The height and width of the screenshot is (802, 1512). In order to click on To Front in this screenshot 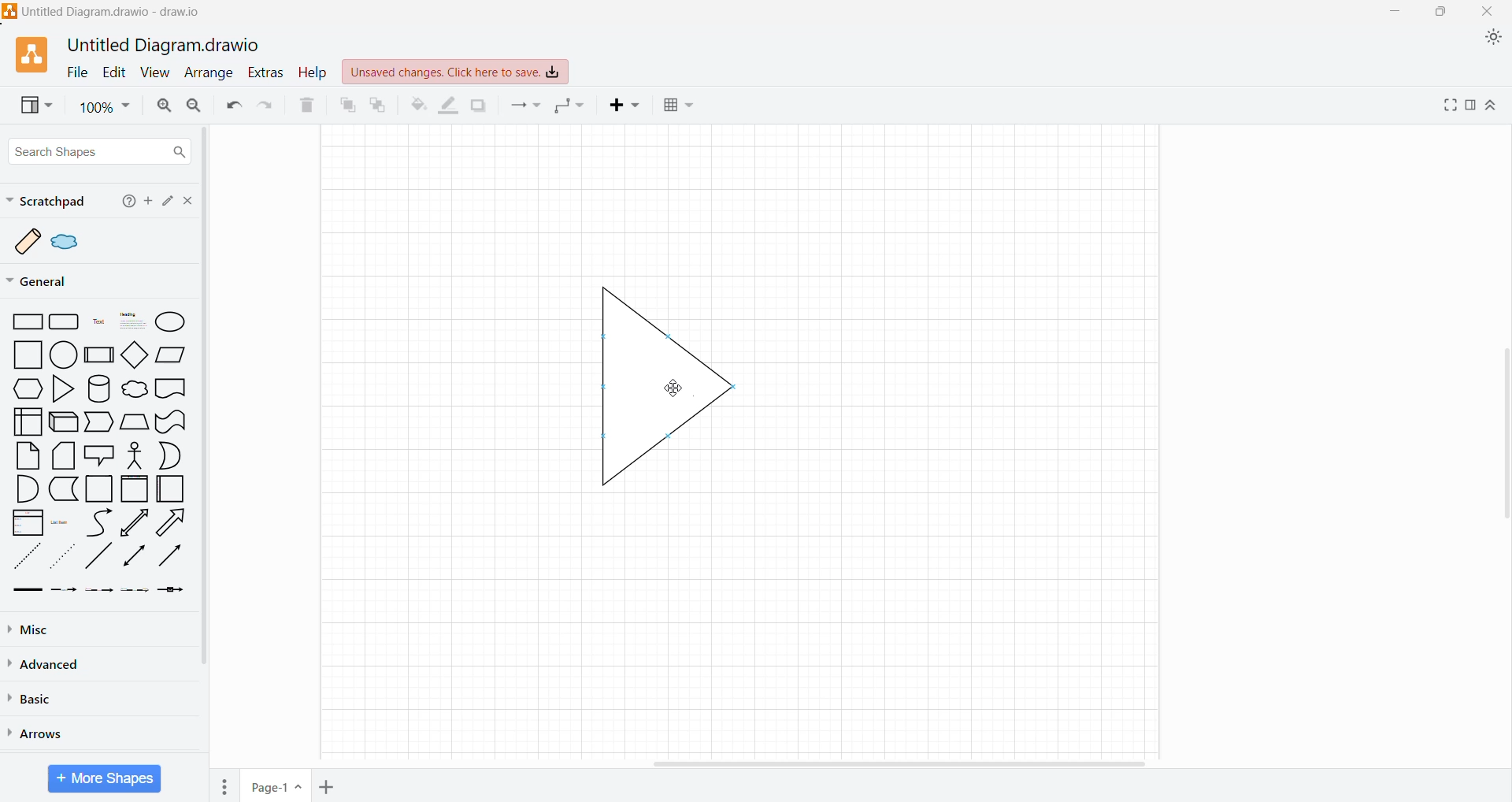, I will do `click(346, 105)`.